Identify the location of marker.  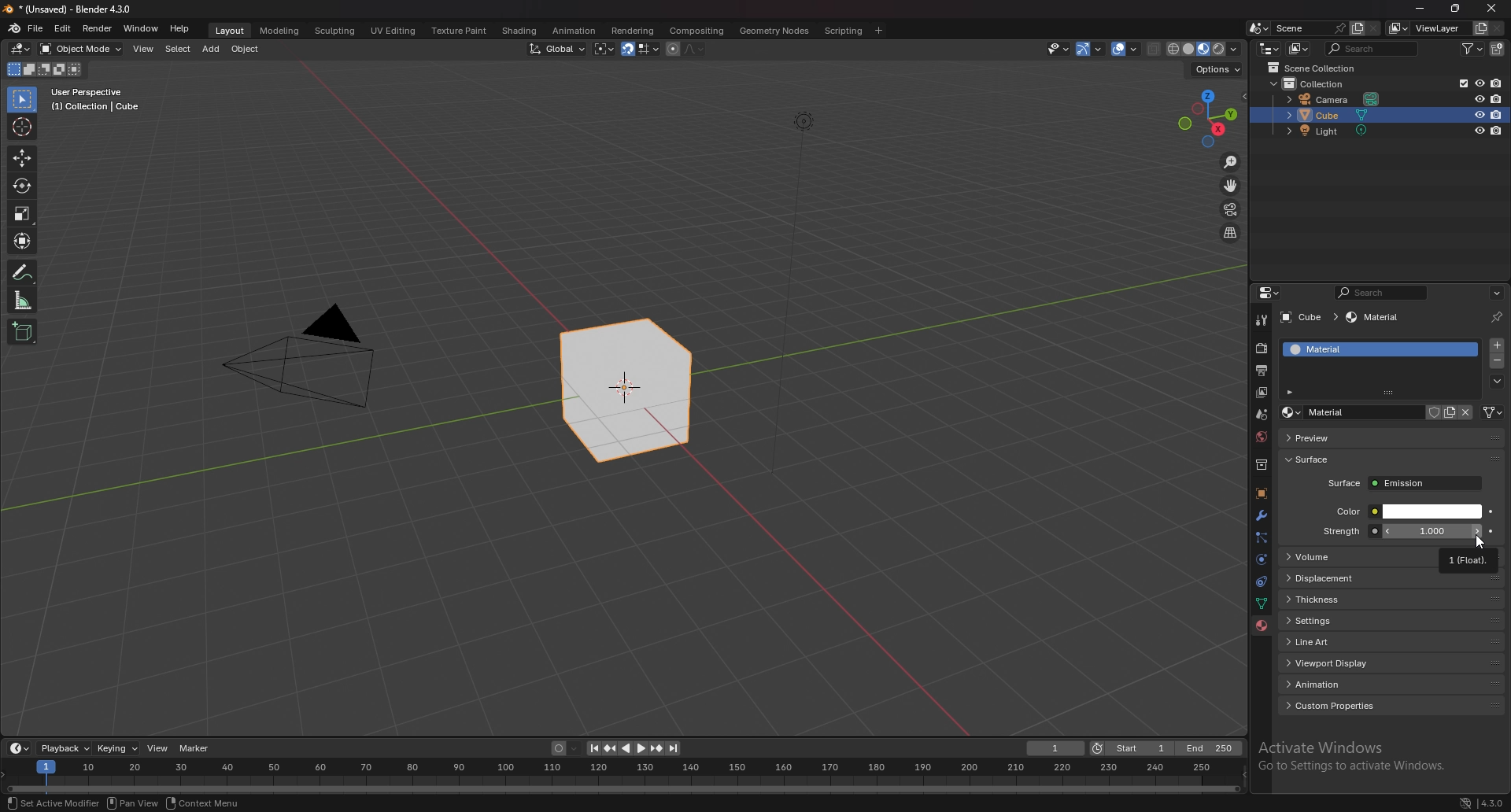
(194, 747).